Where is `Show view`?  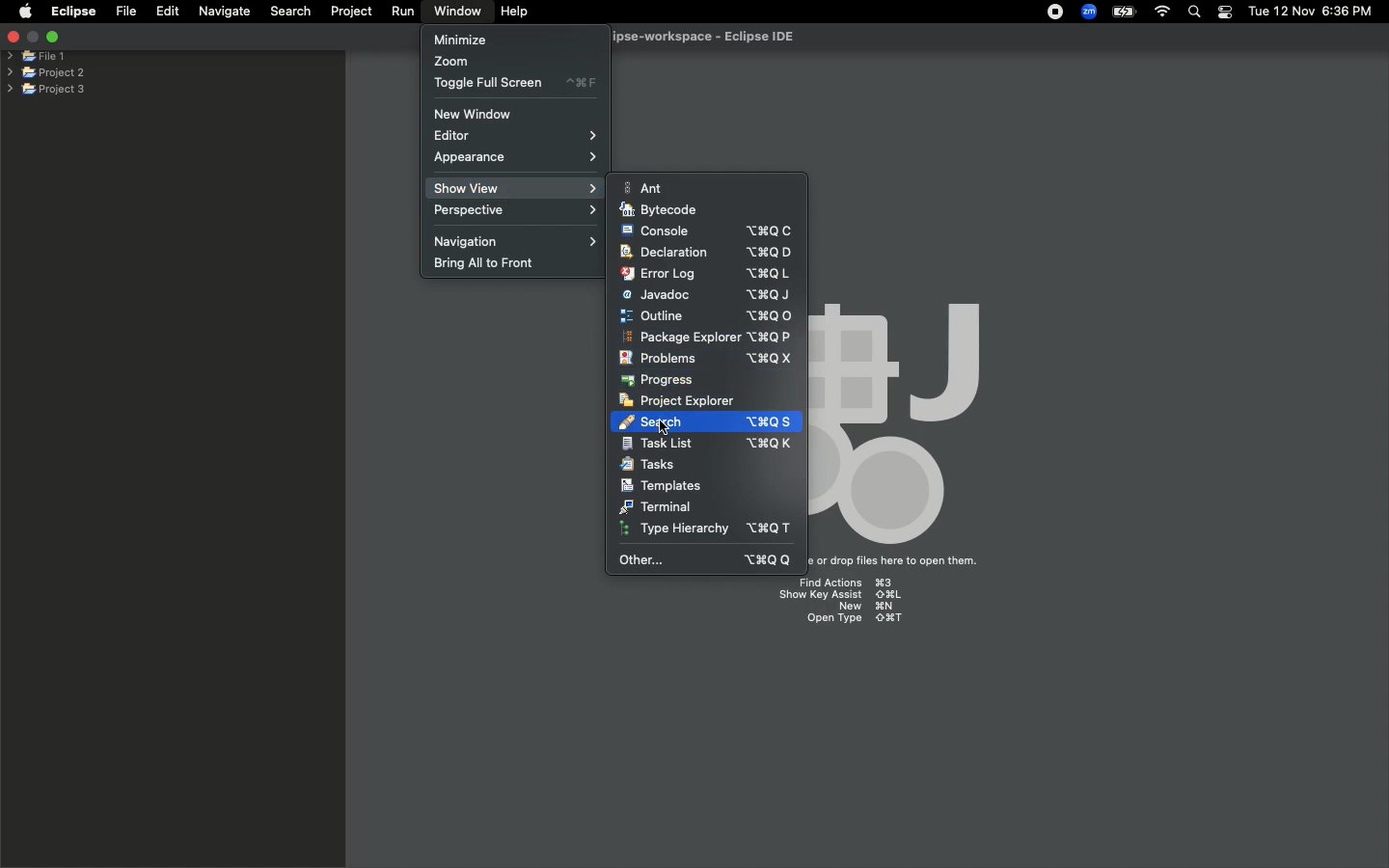
Show view is located at coordinates (514, 188).